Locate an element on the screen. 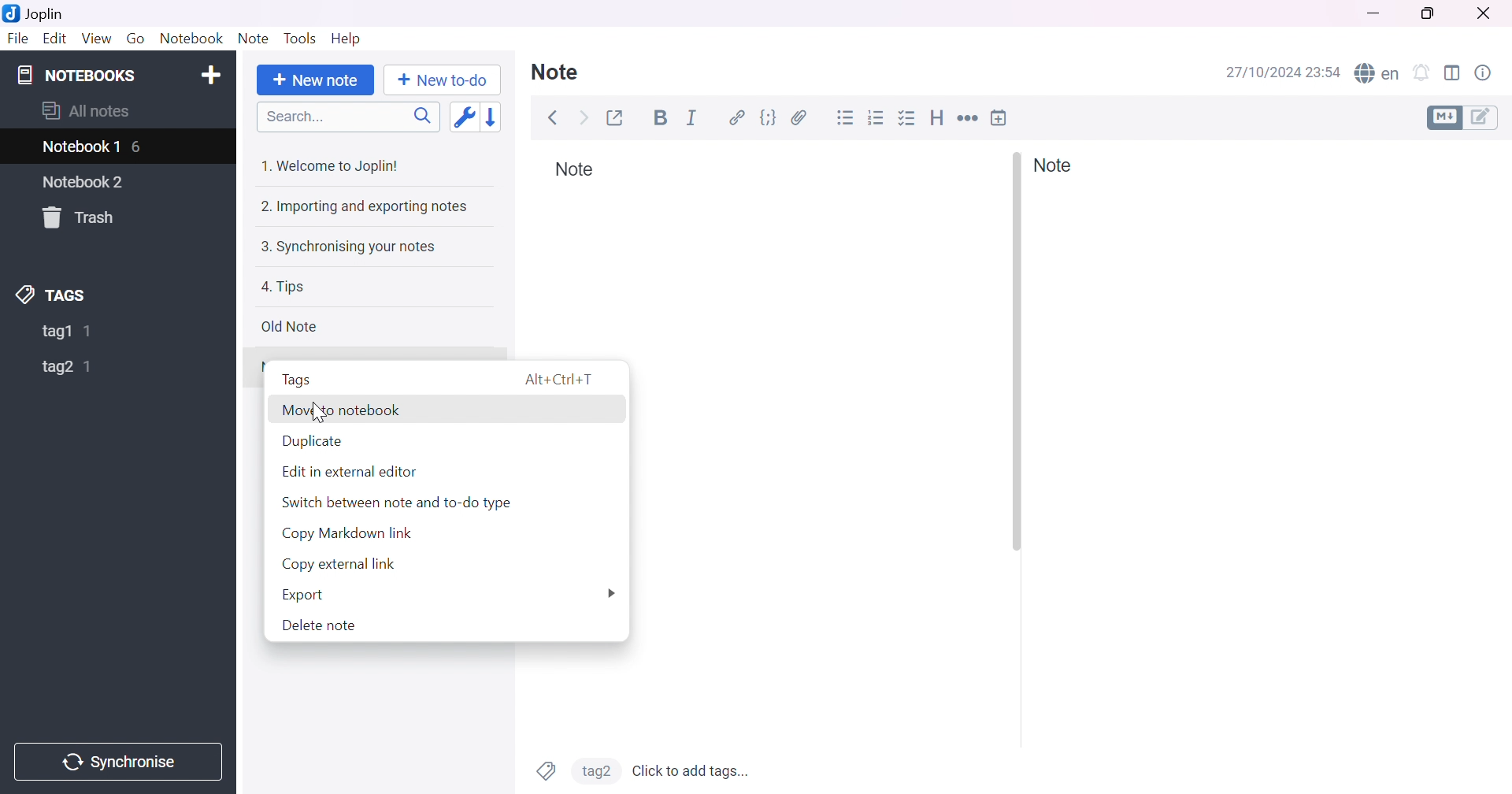 This screenshot has width=1512, height=794. + New note is located at coordinates (315, 81).